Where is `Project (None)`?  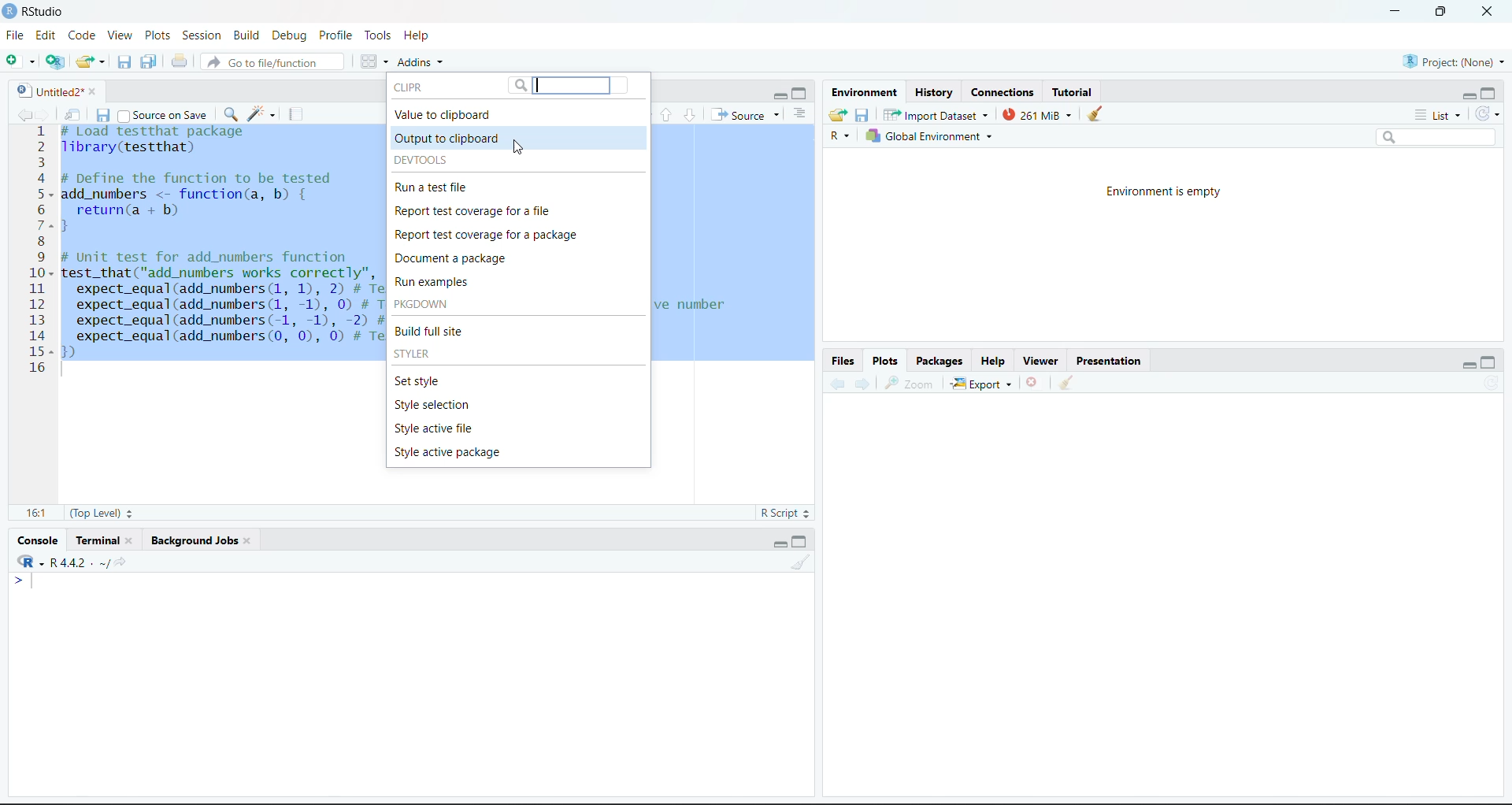
Project (None) is located at coordinates (1455, 61).